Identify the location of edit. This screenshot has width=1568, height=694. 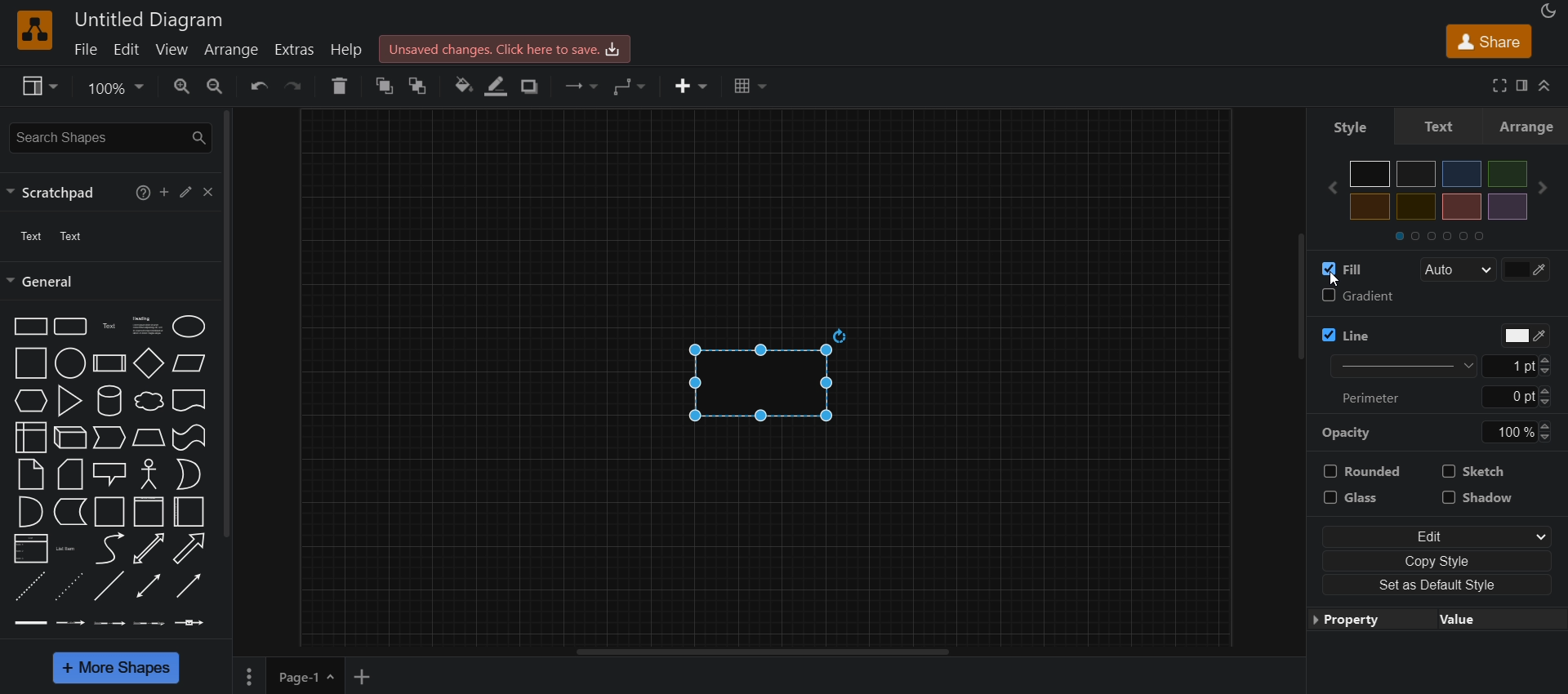
(186, 193).